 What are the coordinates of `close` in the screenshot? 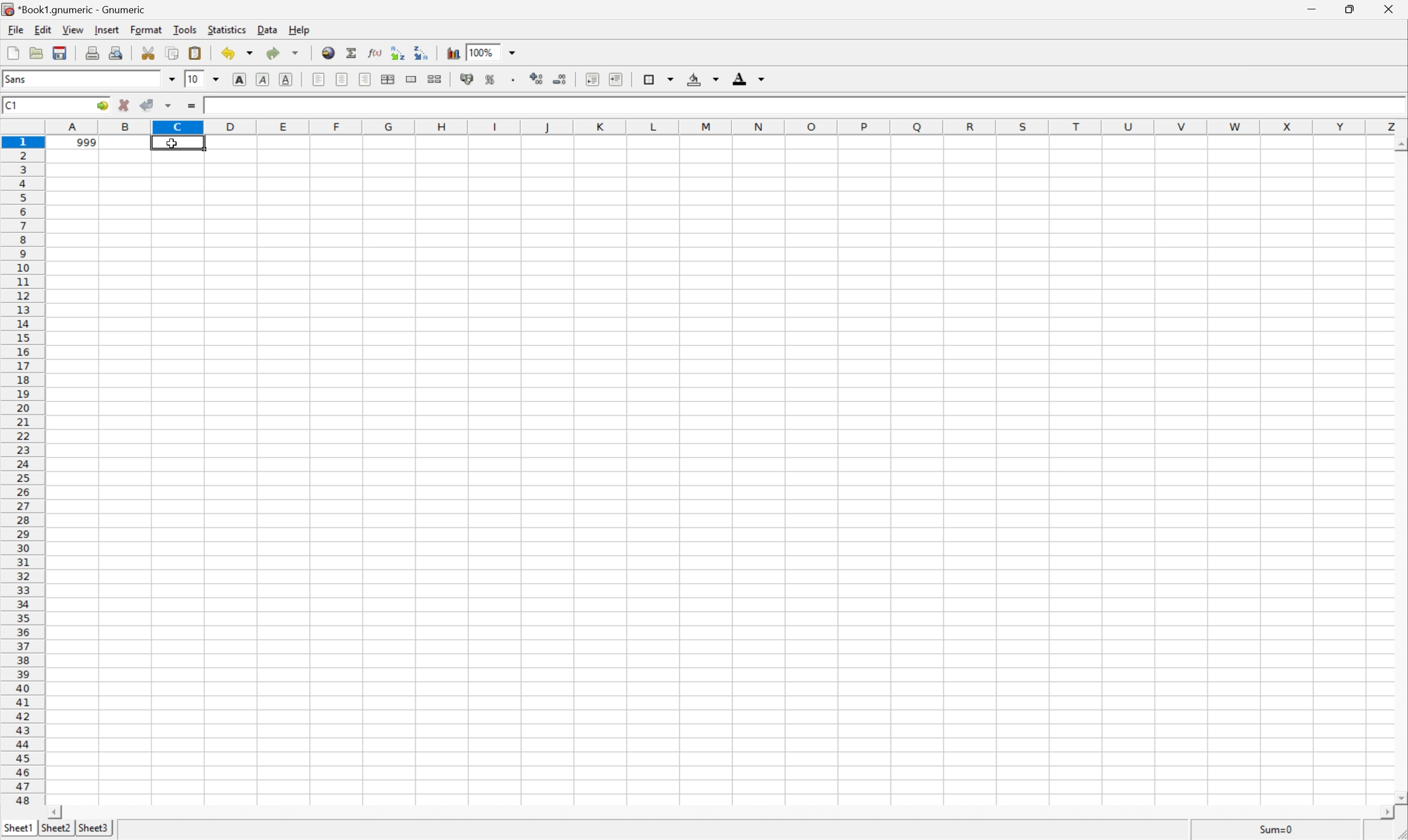 It's located at (1389, 11).